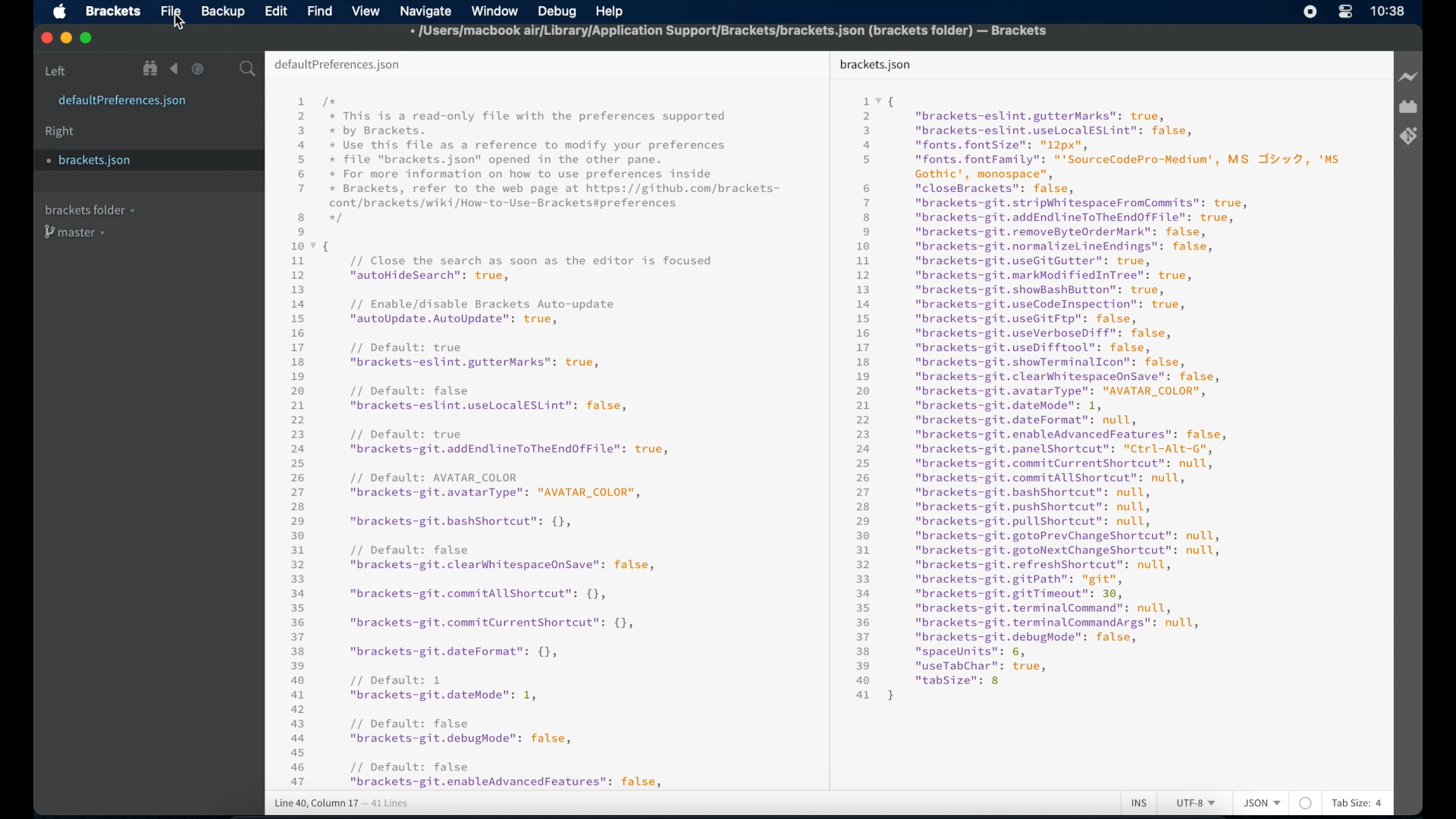 The height and width of the screenshot is (819, 1456). What do you see at coordinates (172, 12) in the screenshot?
I see `file` at bounding box center [172, 12].